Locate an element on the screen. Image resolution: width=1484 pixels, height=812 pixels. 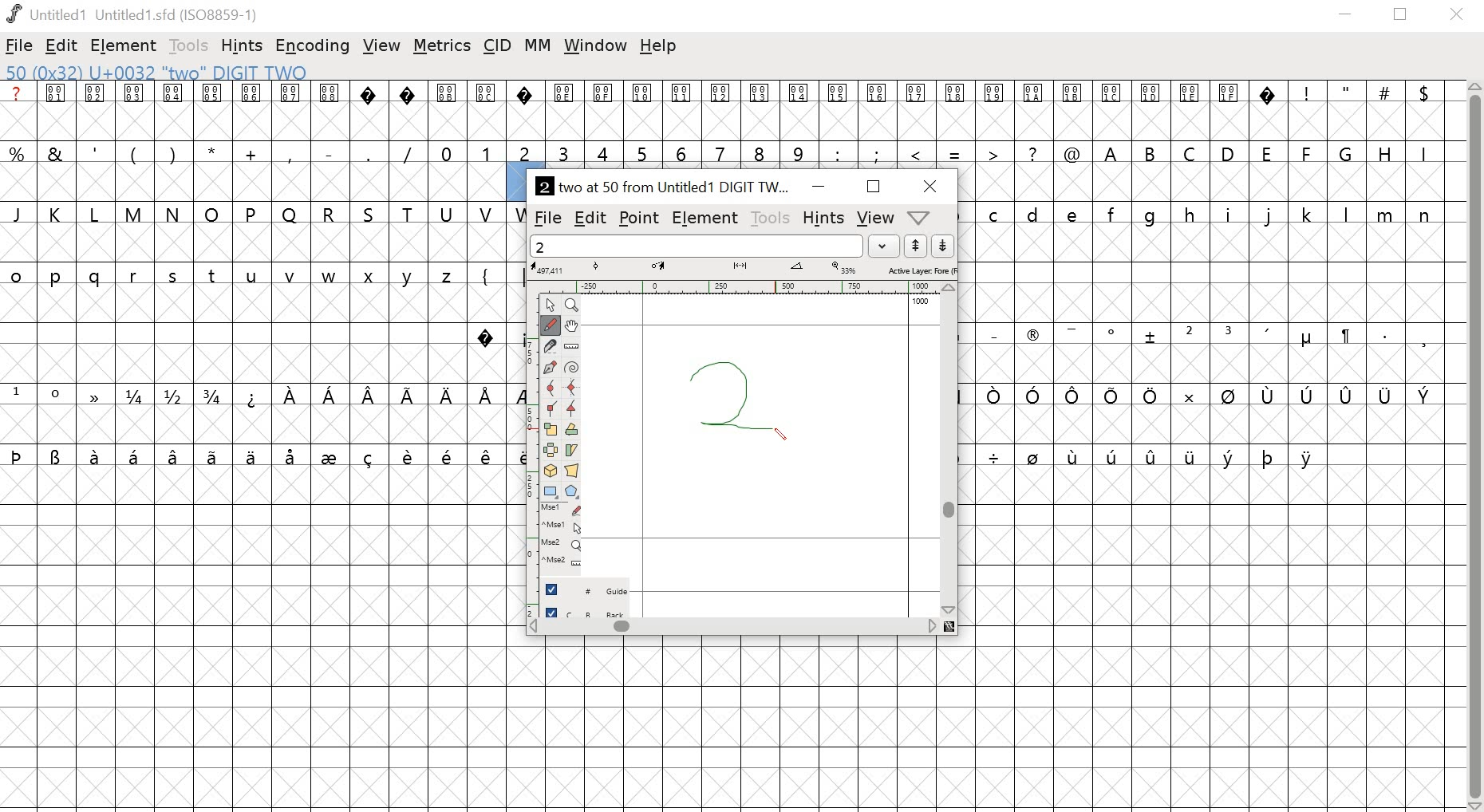
ruler is located at coordinates (570, 347).